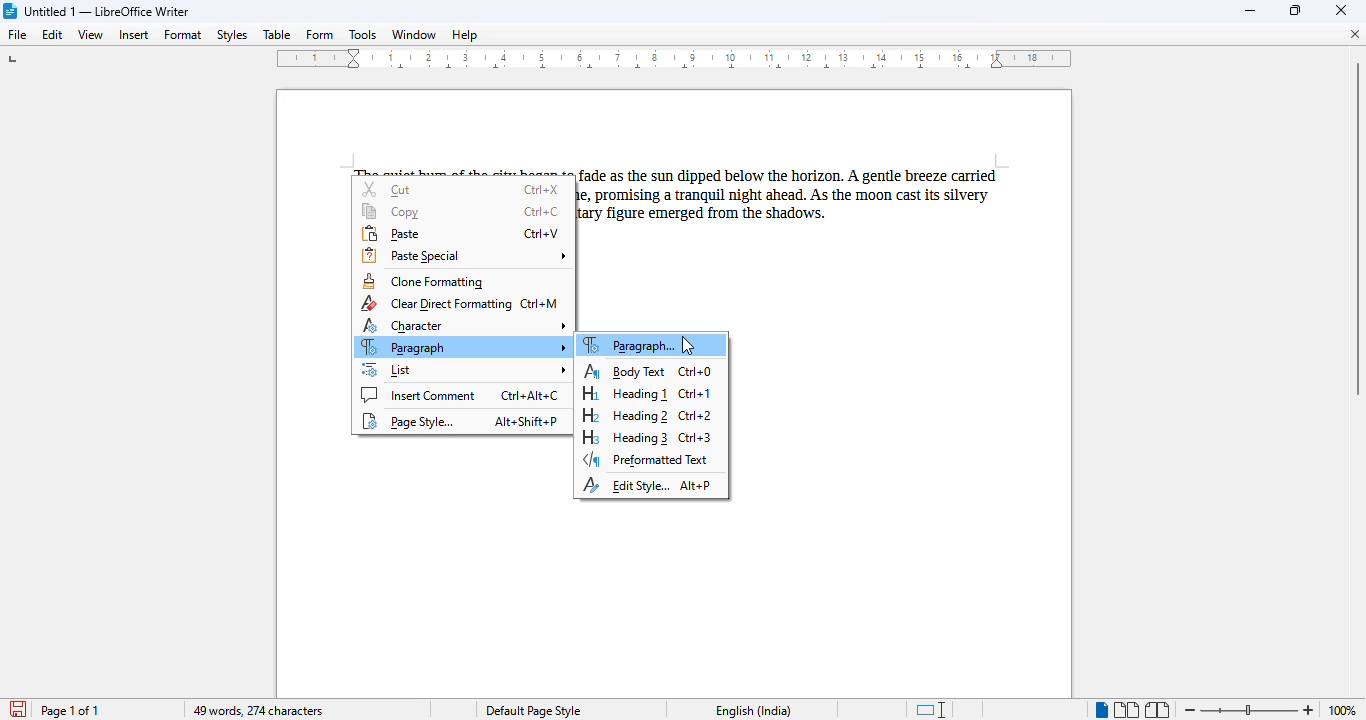  I want to click on character, so click(464, 327).